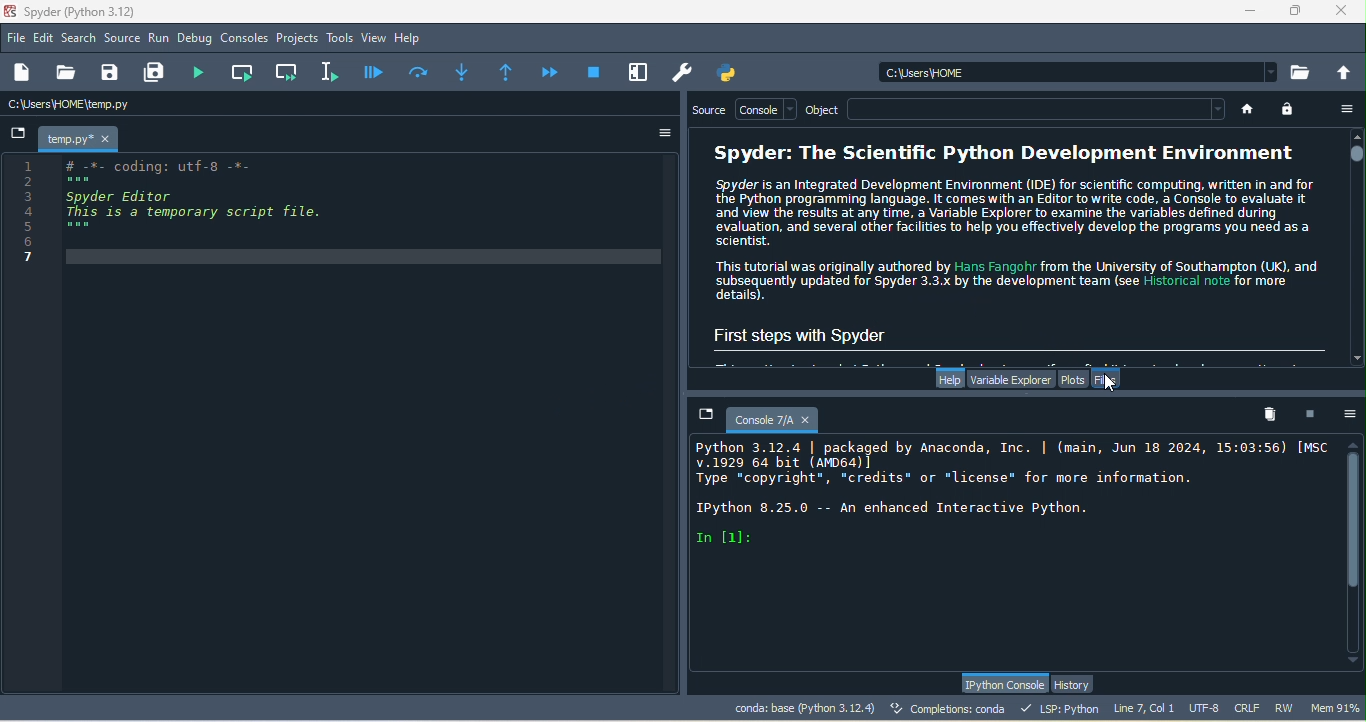 The image size is (1366, 722). What do you see at coordinates (1063, 708) in the screenshot?
I see `lsp python` at bounding box center [1063, 708].